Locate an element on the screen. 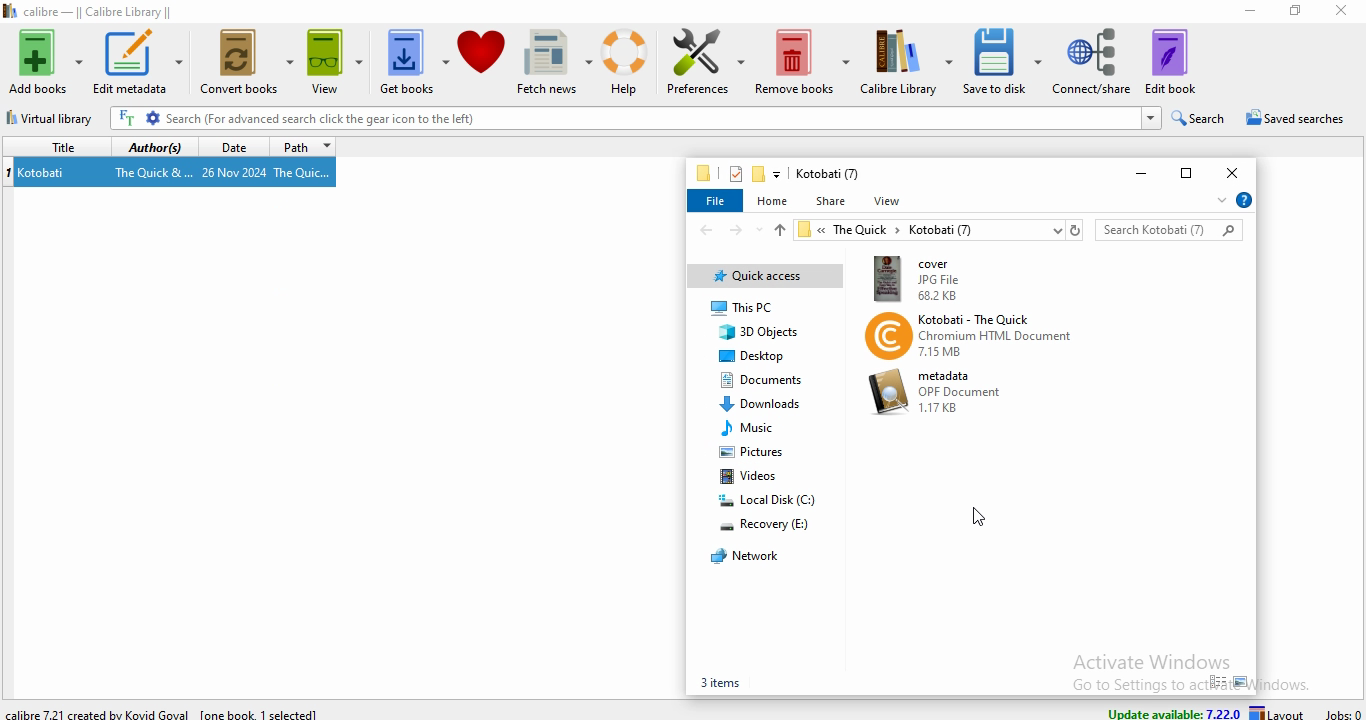 The image size is (1366, 720). edit book is located at coordinates (1171, 61).